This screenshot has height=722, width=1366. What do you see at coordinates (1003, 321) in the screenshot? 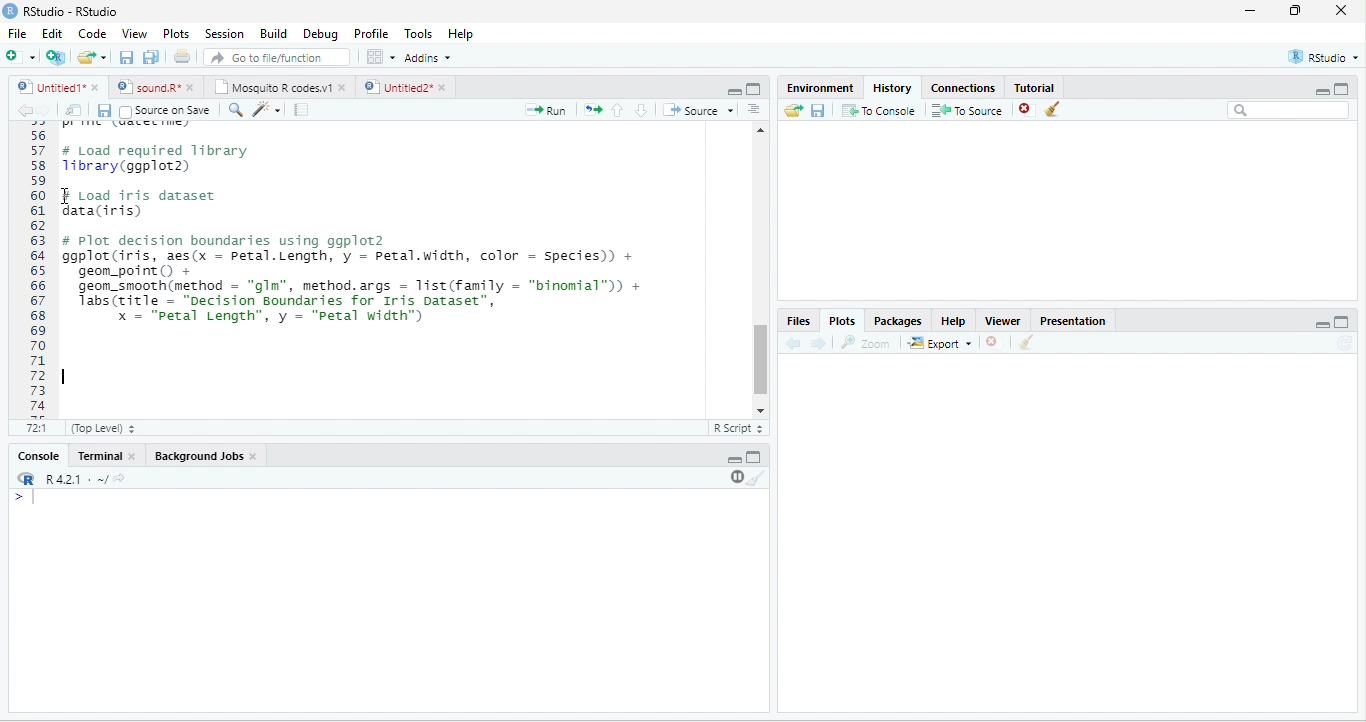
I see `Viewer` at bounding box center [1003, 321].